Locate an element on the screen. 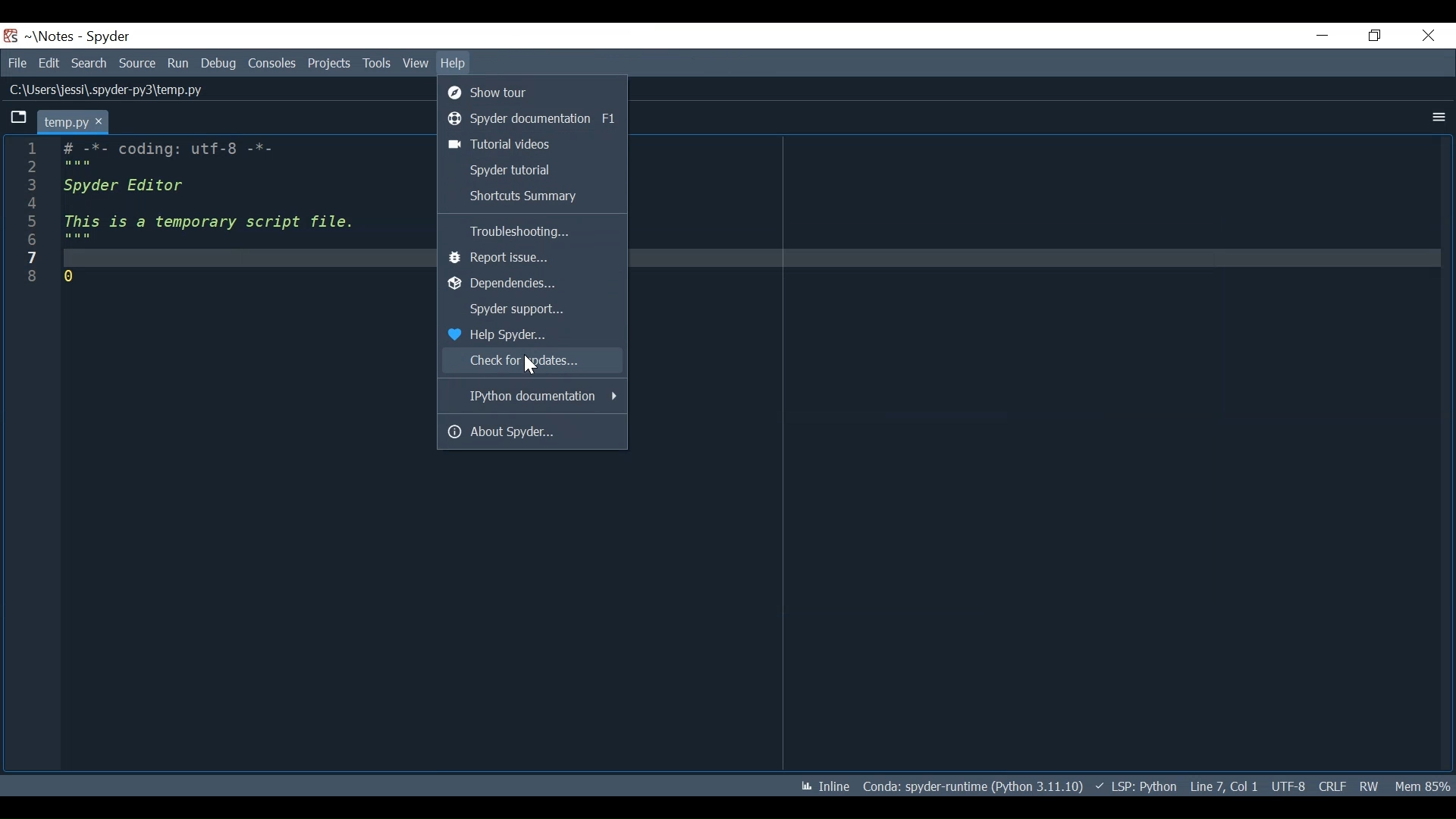 The image size is (1456, 819). Help is located at coordinates (456, 61).